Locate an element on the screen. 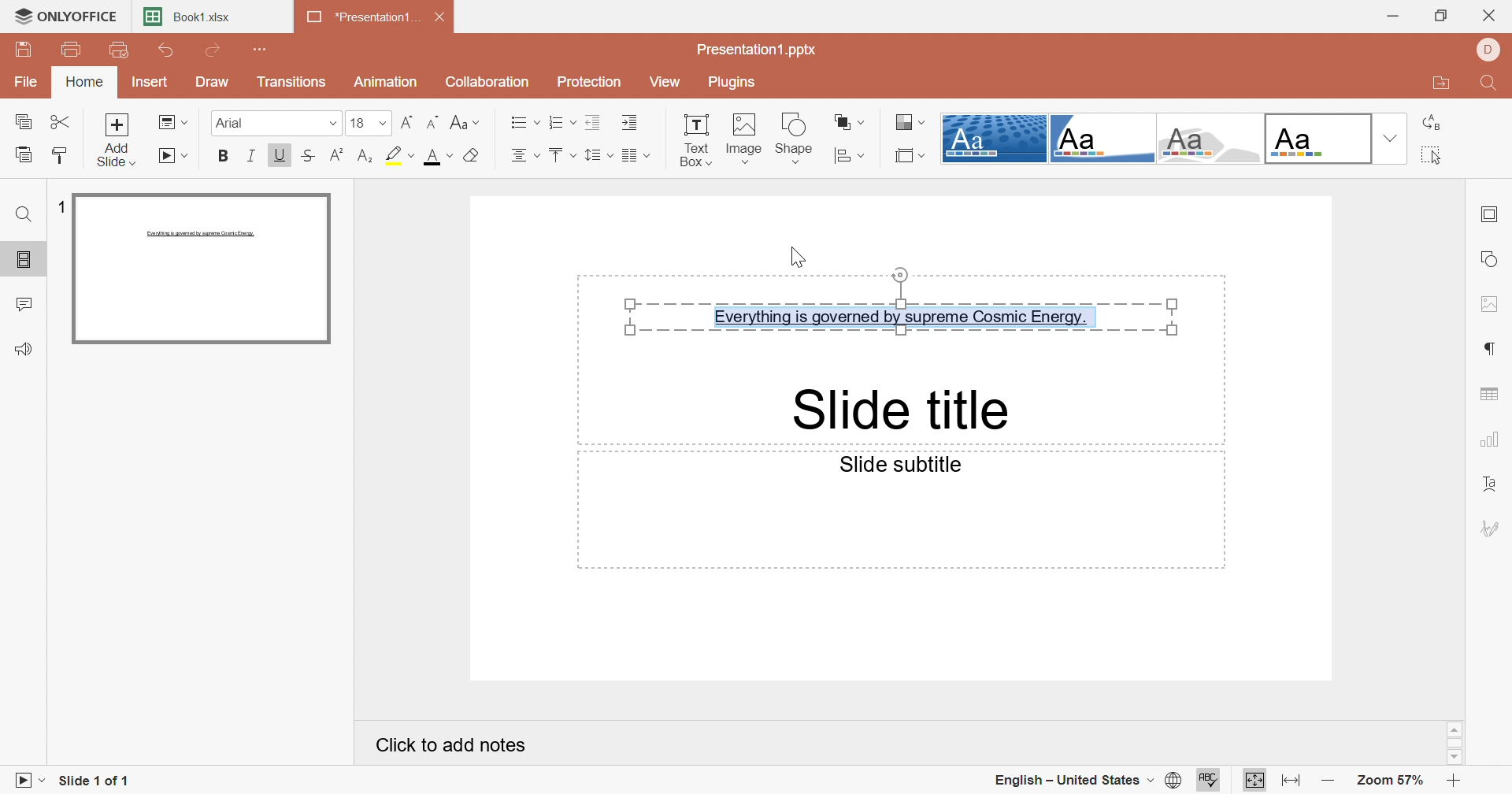  Signature settings is located at coordinates (1492, 528).